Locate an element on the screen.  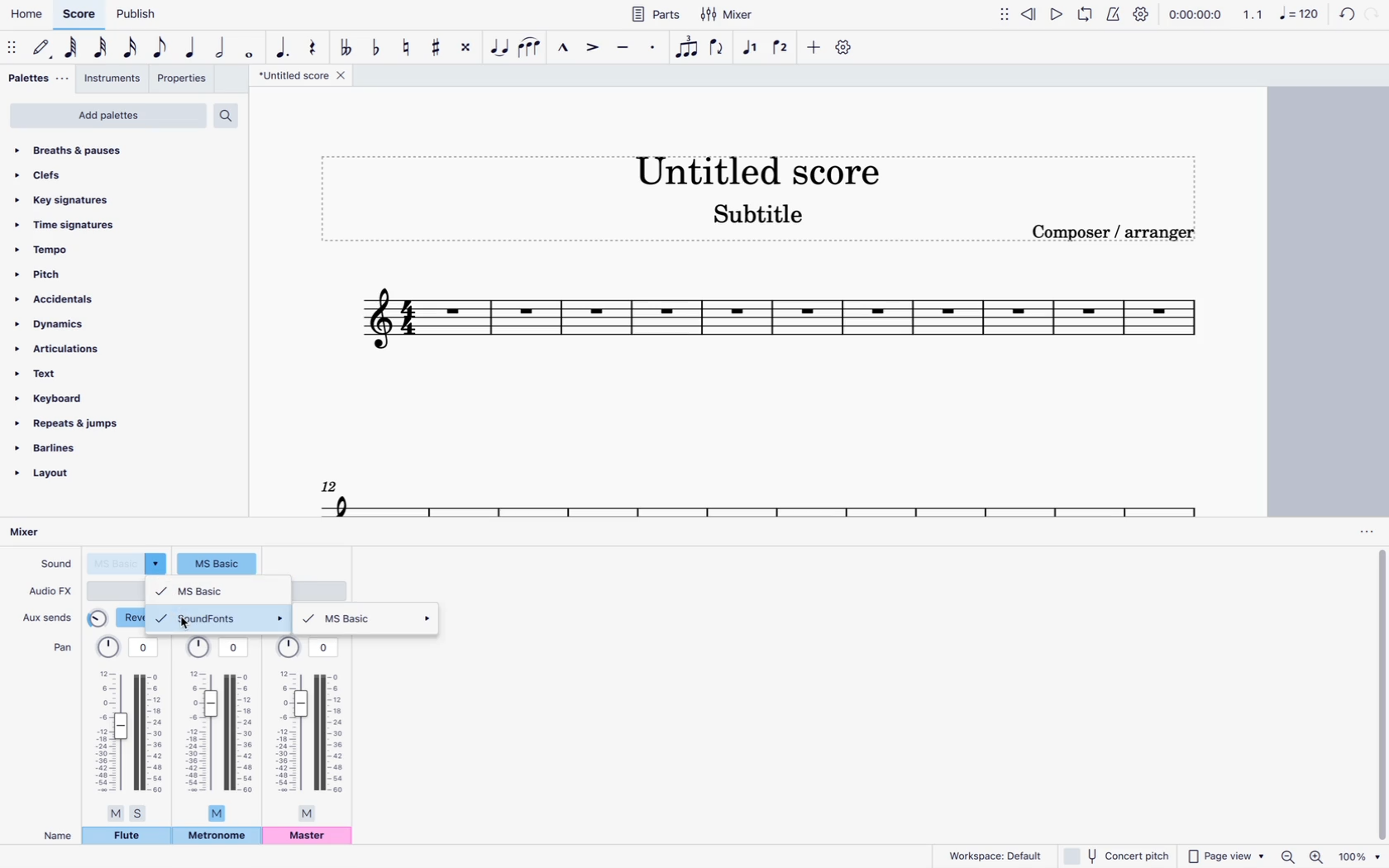
rewind is located at coordinates (1031, 12).